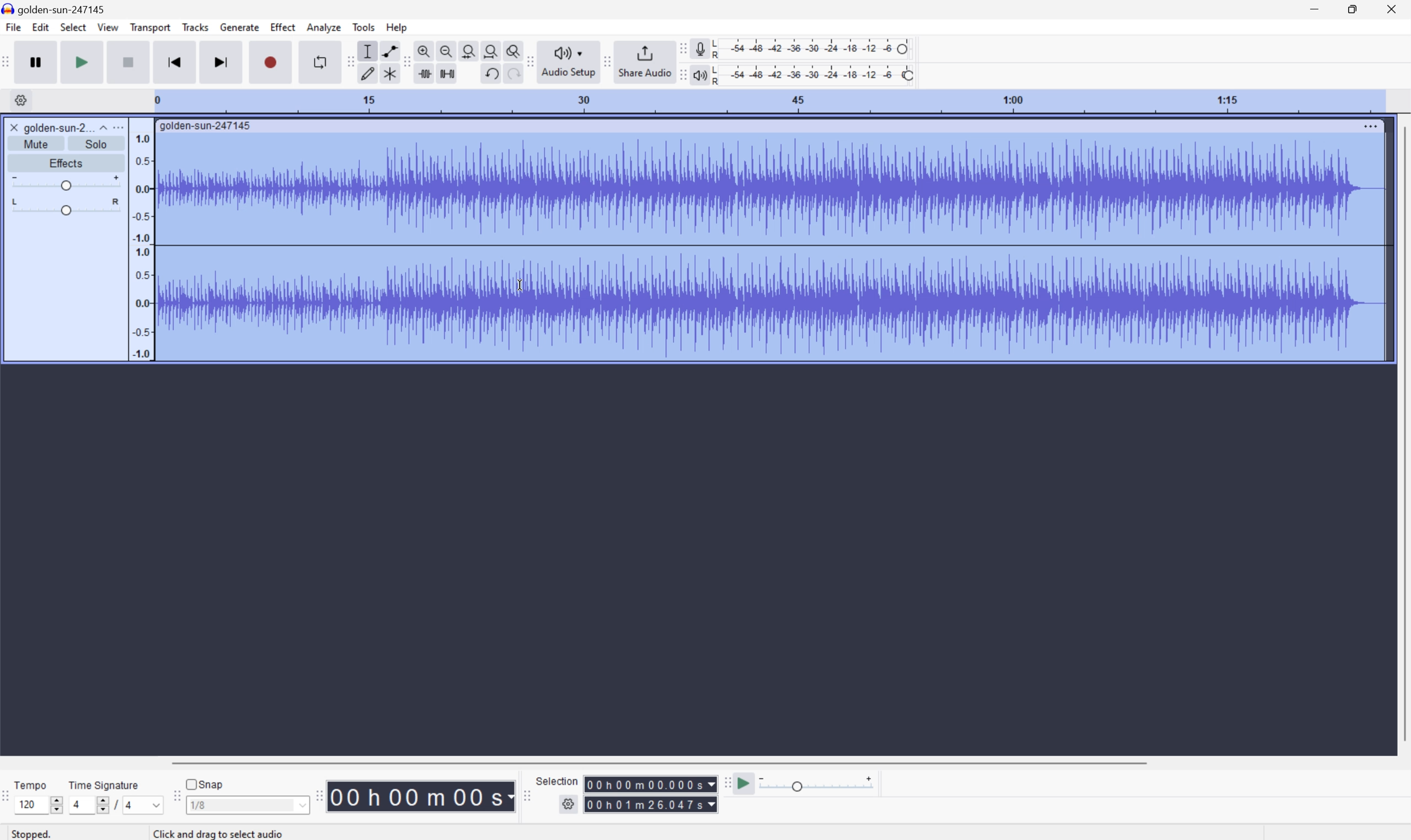 The height and width of the screenshot is (840, 1411). What do you see at coordinates (820, 783) in the screenshot?
I see `Play back speed` at bounding box center [820, 783].